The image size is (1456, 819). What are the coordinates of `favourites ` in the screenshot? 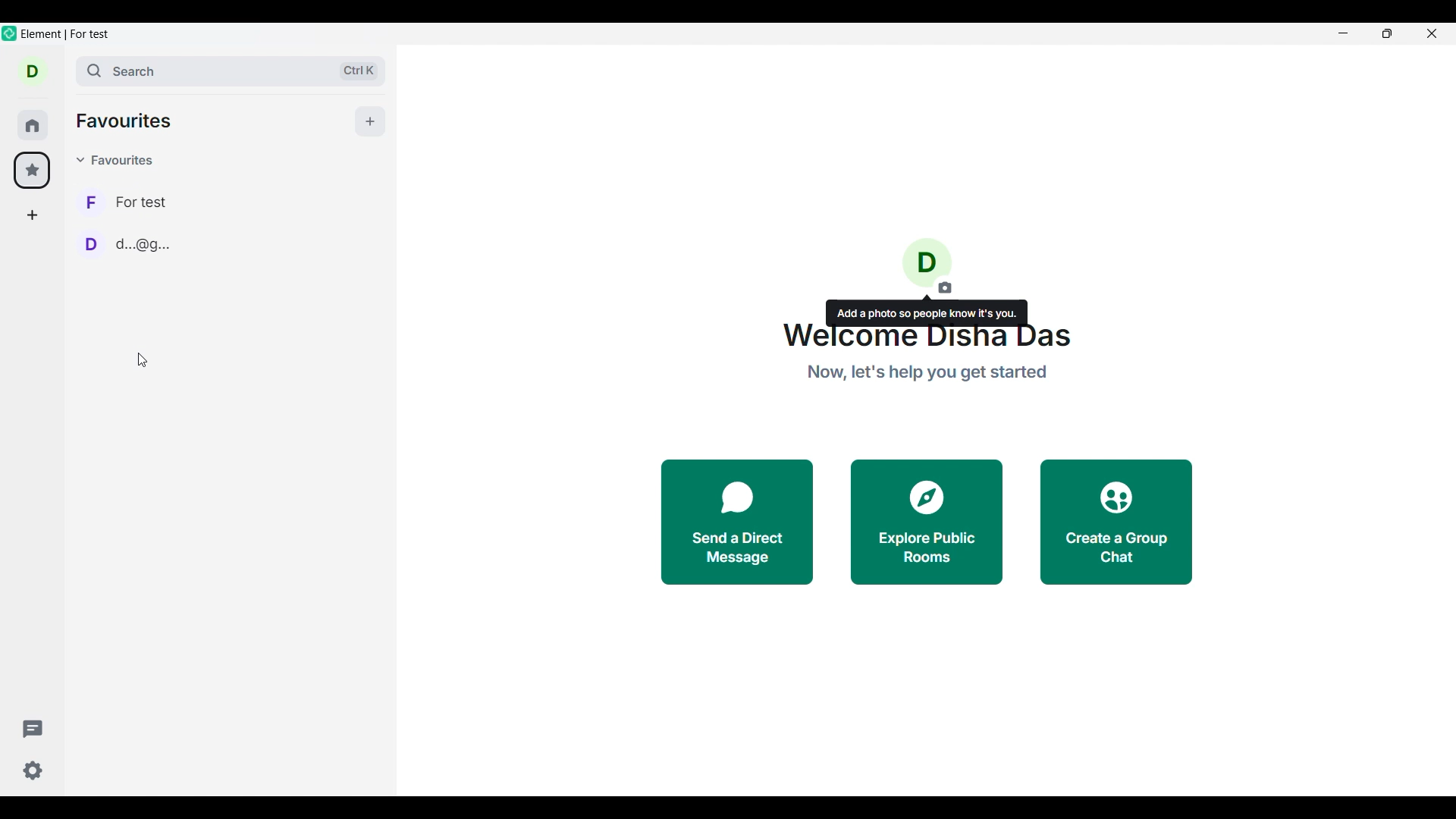 It's located at (118, 160).